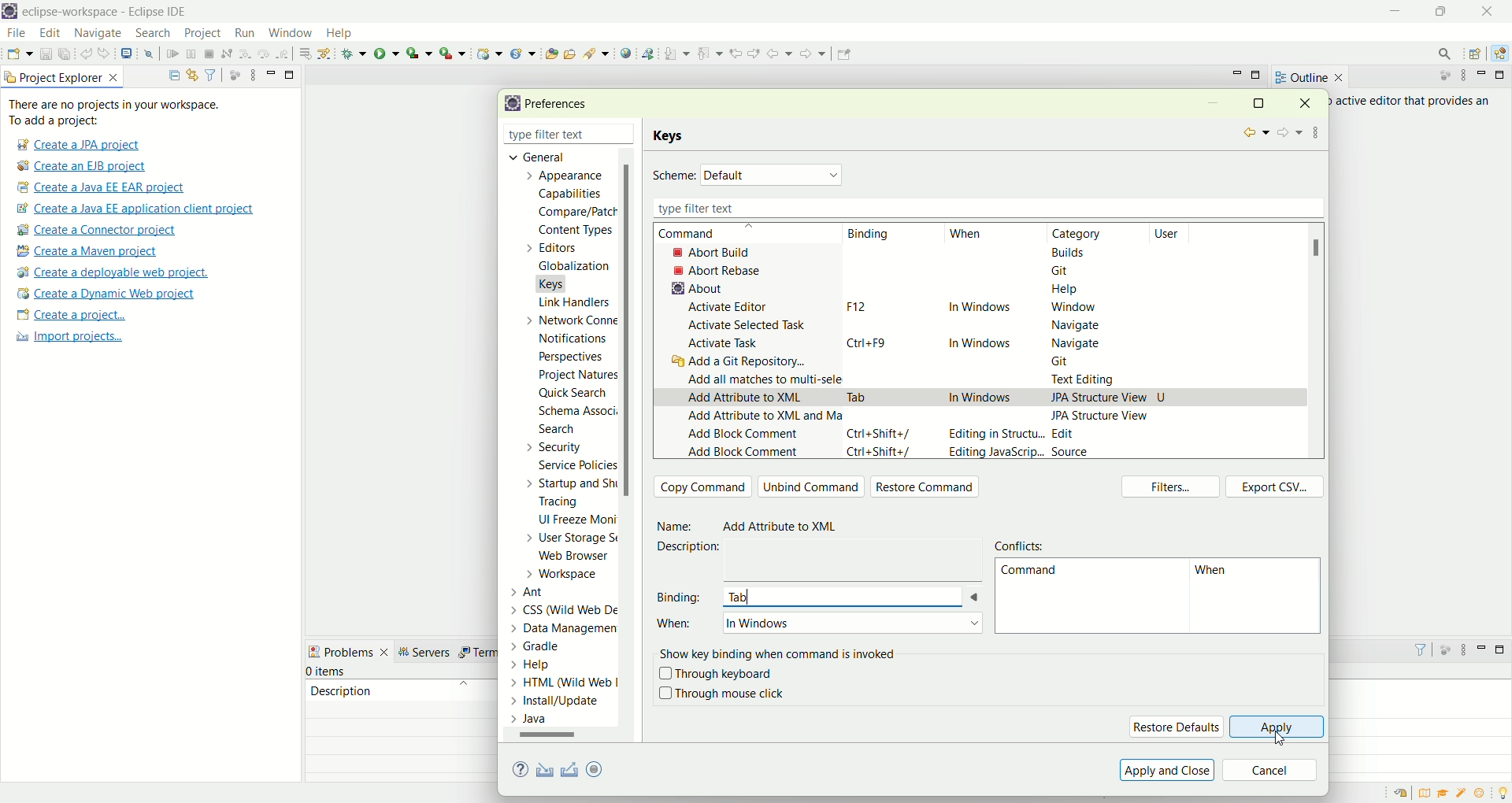 This screenshot has height=803, width=1512. I want to click on view menu, so click(1317, 130).